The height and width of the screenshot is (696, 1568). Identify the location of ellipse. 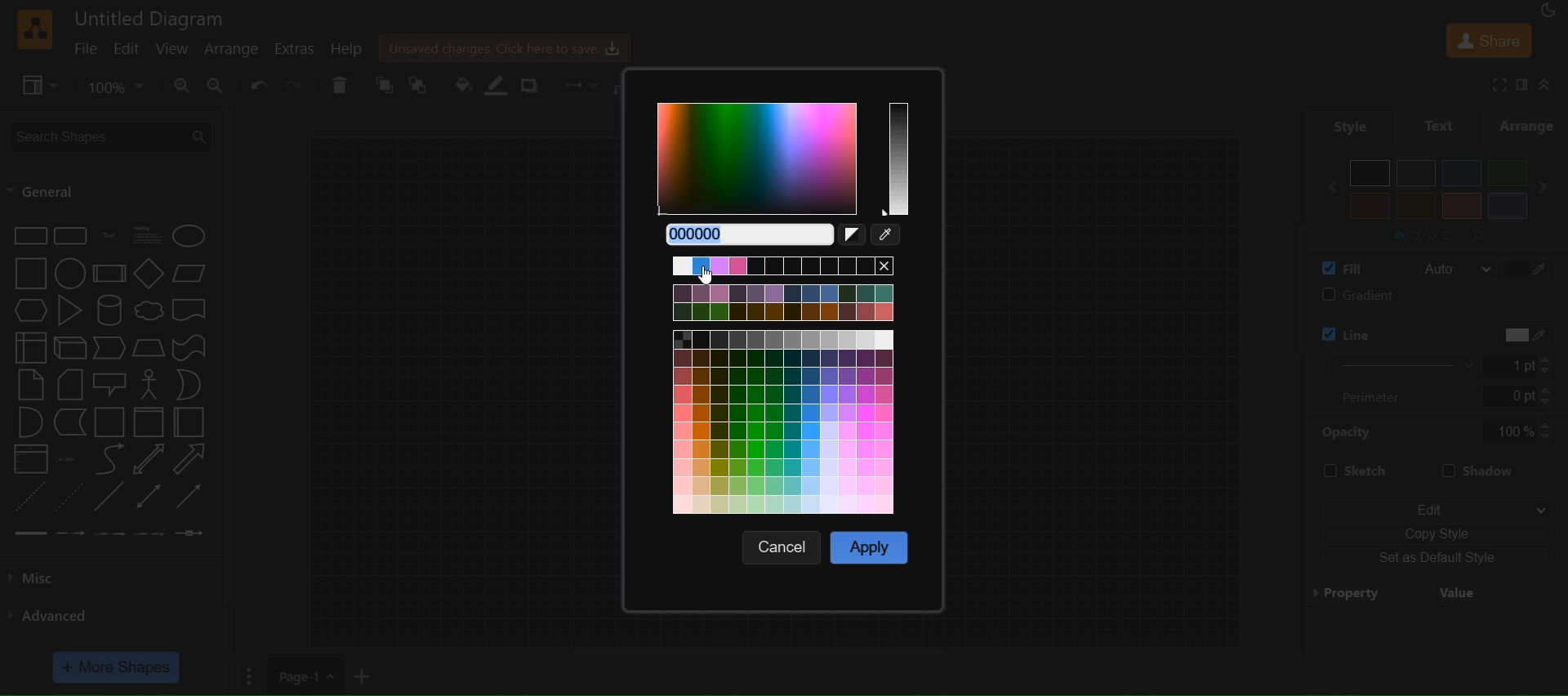
(192, 235).